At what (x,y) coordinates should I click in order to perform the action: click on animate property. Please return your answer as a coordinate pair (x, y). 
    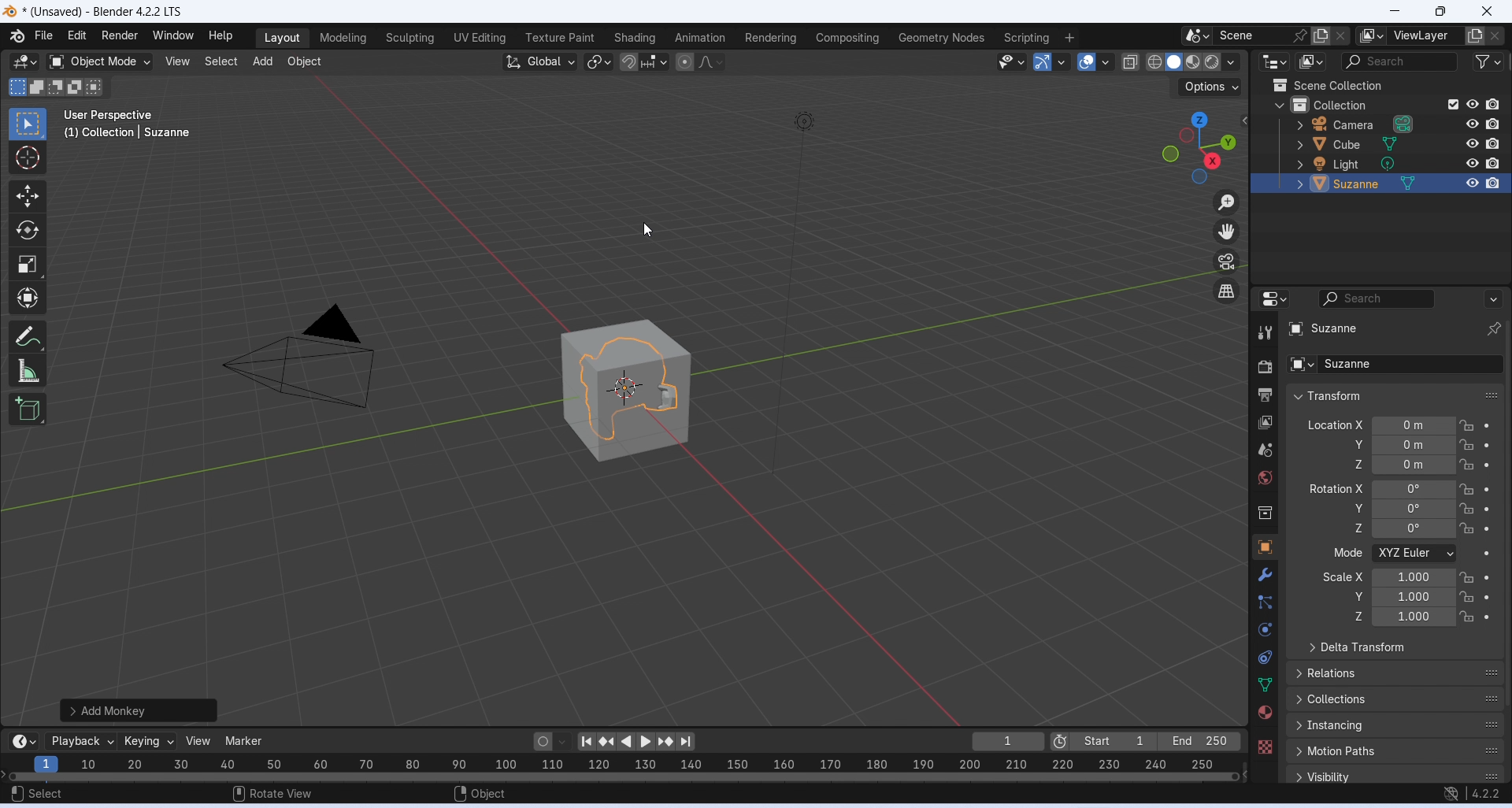
    Looking at the image, I should click on (1488, 465).